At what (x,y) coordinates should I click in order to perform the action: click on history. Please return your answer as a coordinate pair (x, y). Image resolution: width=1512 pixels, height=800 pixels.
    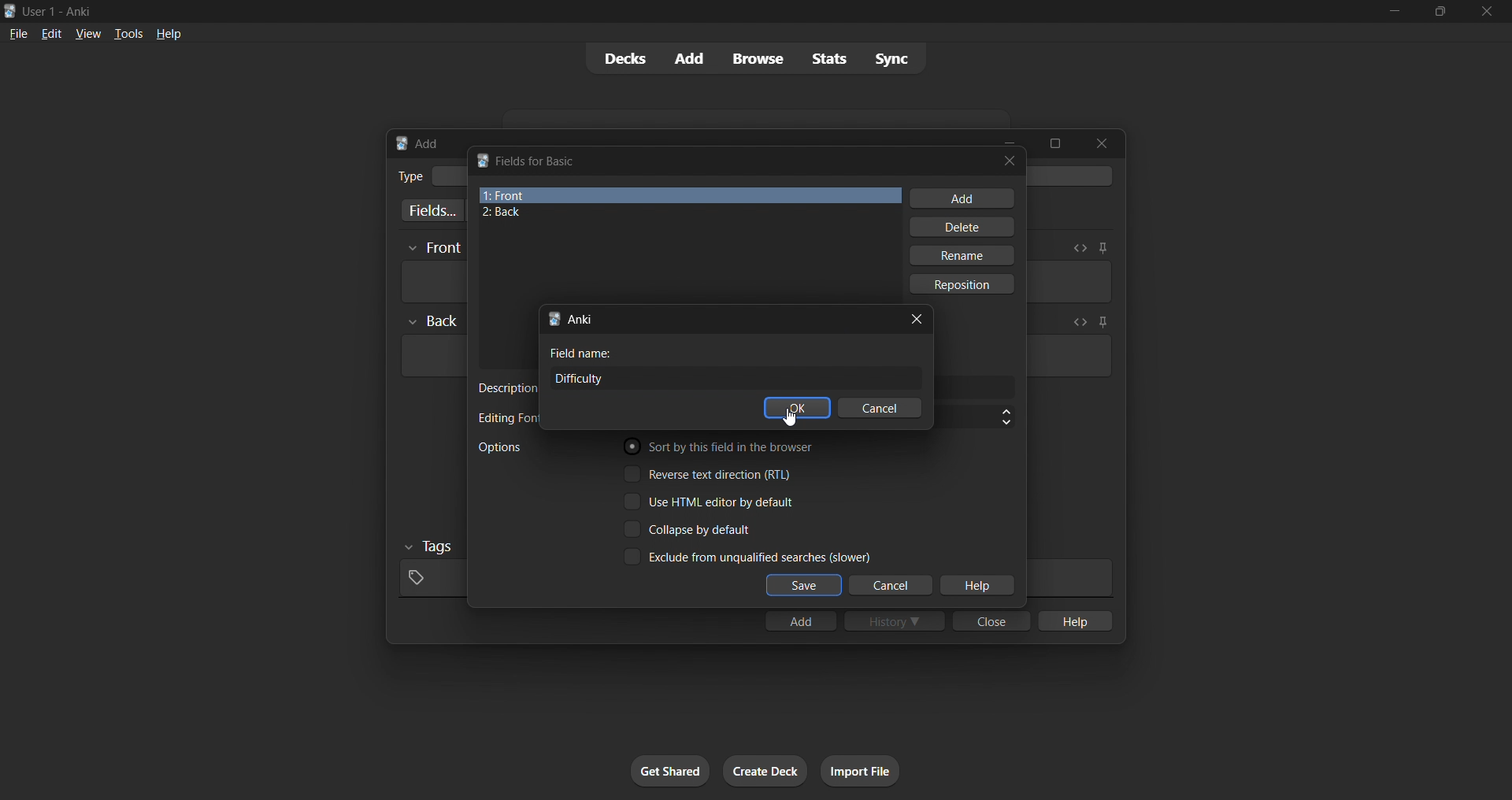
    Looking at the image, I should click on (895, 620).